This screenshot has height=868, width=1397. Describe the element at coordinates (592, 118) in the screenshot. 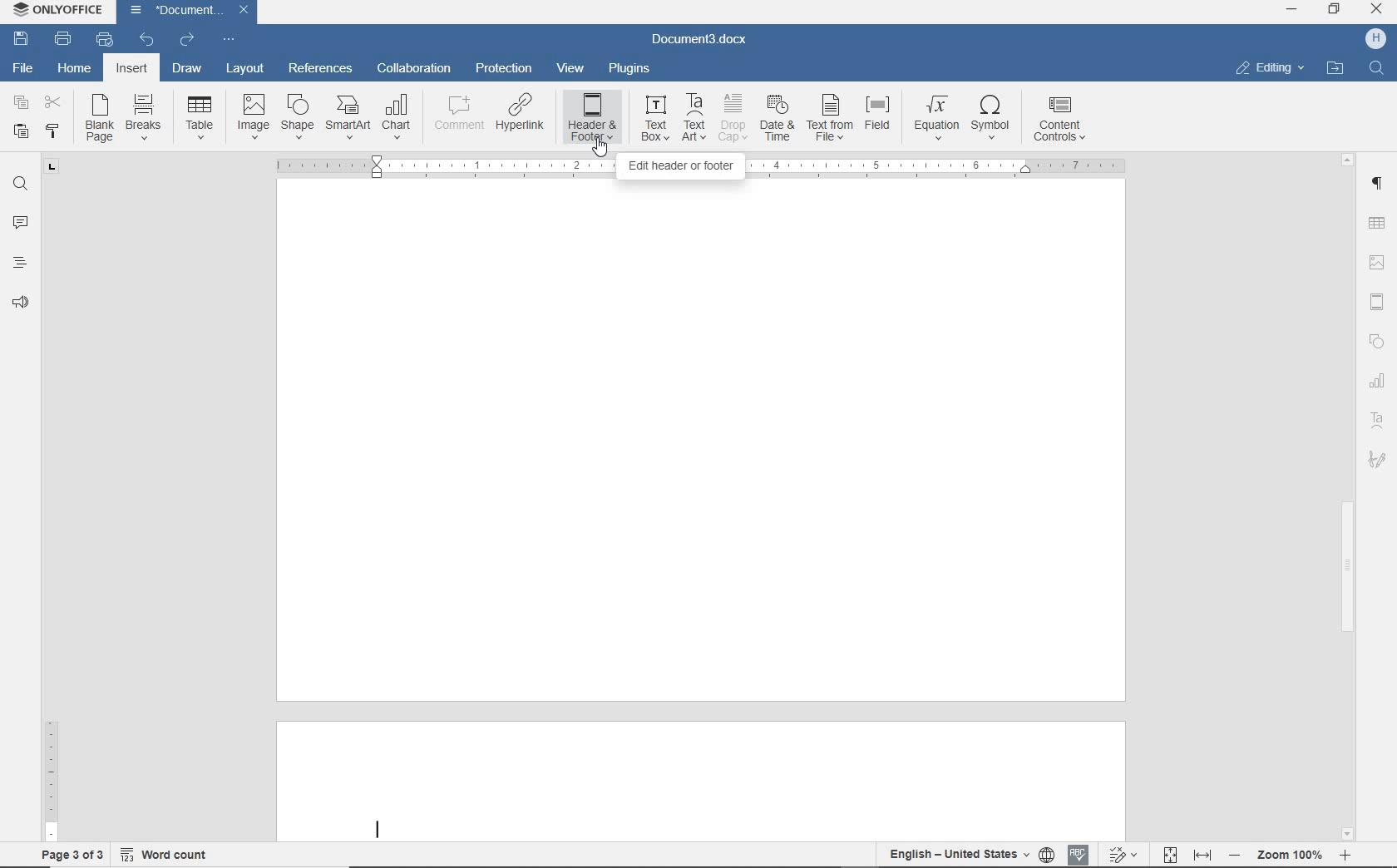

I see `HEADER & FOOTER` at that location.